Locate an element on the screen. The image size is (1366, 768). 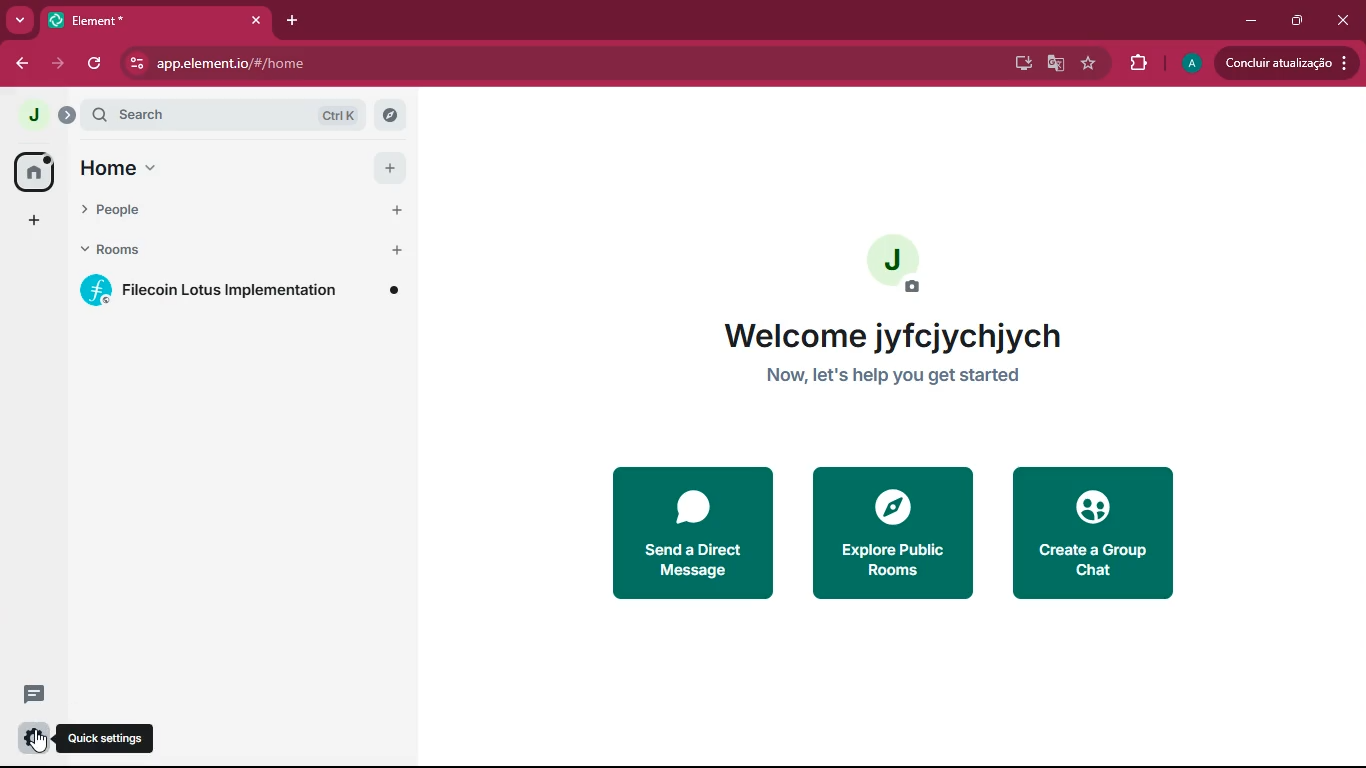
close tab is located at coordinates (260, 19).